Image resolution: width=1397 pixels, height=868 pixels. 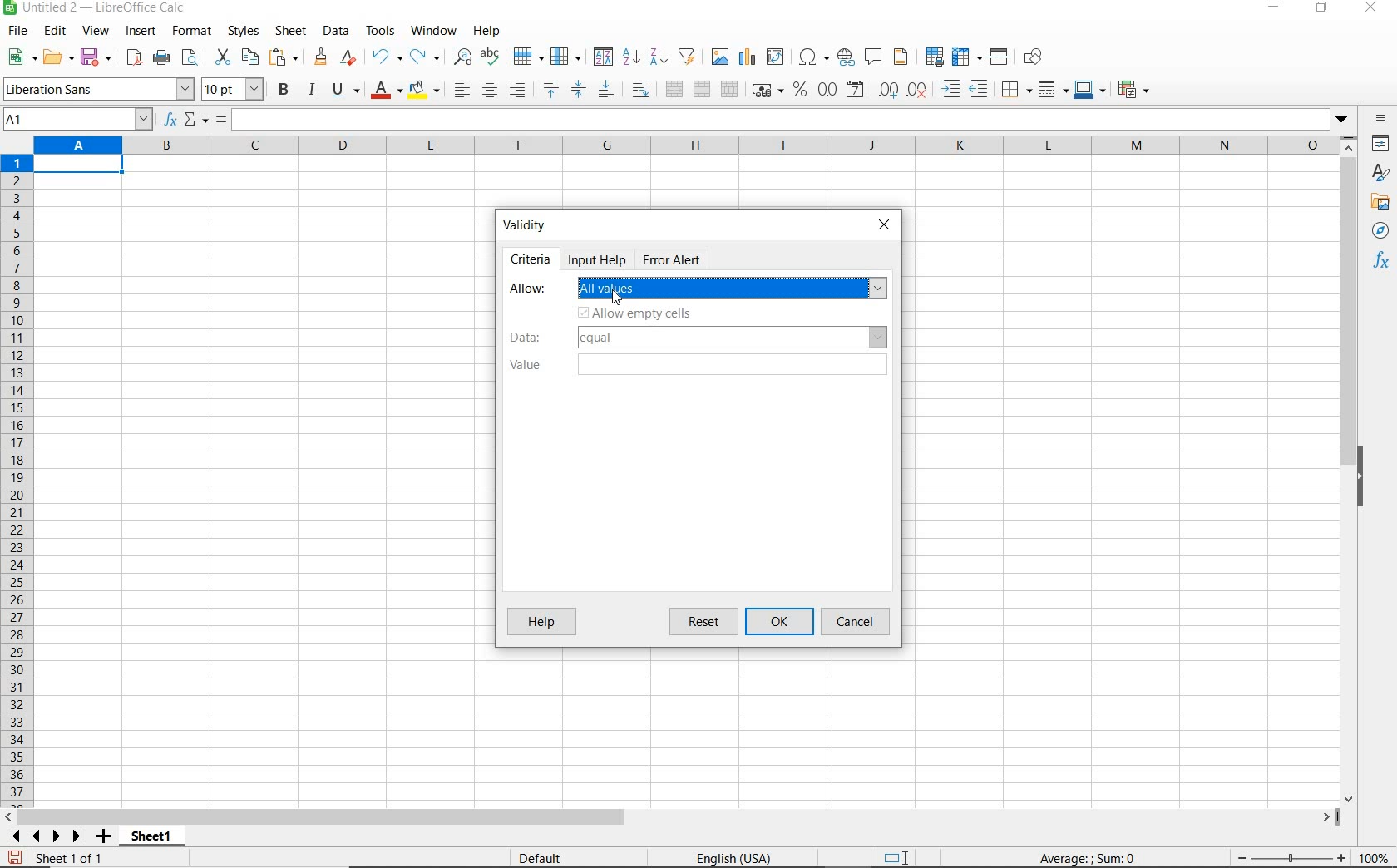 What do you see at coordinates (386, 57) in the screenshot?
I see `undo` at bounding box center [386, 57].